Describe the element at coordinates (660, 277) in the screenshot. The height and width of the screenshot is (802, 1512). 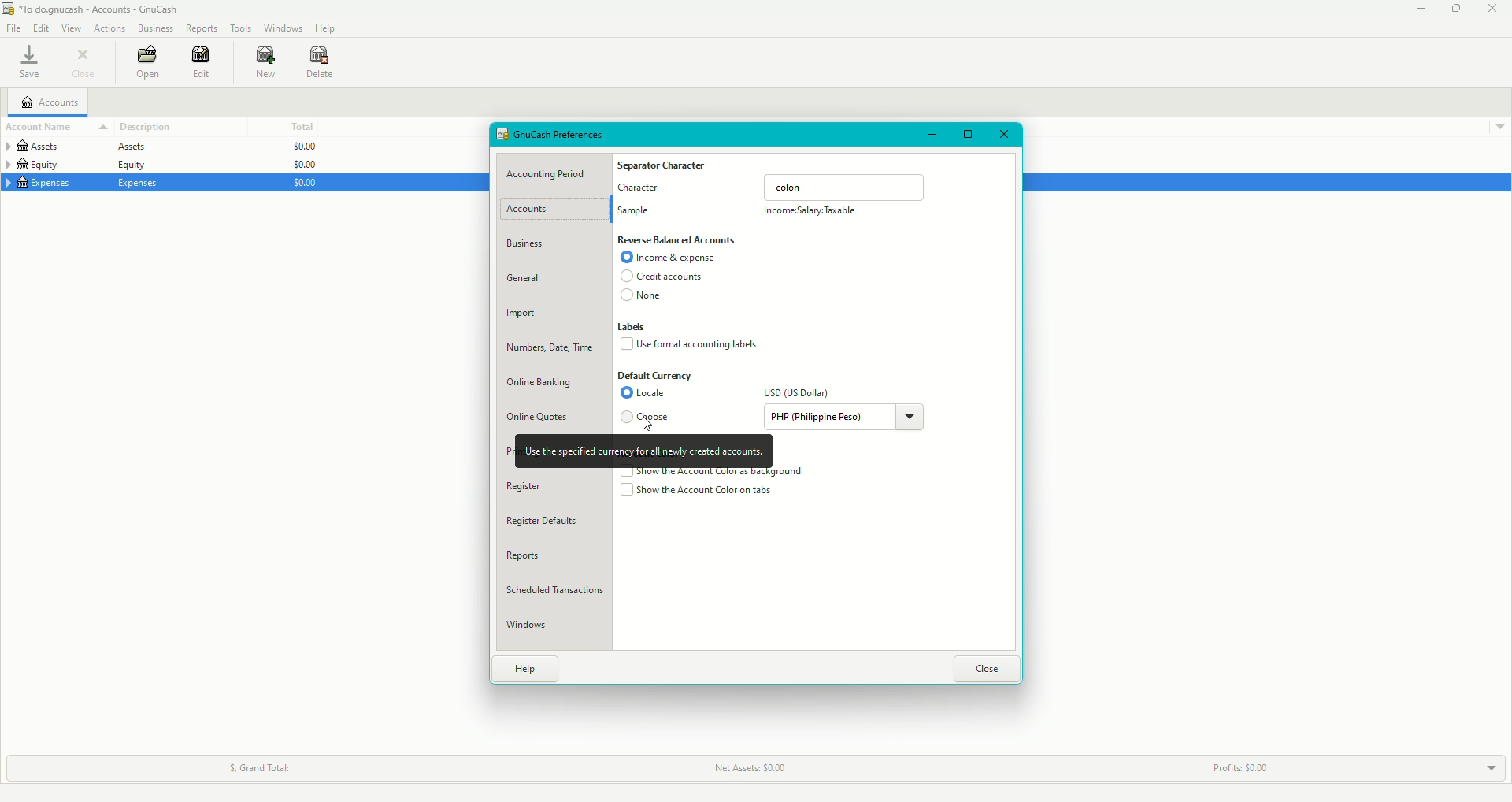
I see `Credit accounts` at that location.